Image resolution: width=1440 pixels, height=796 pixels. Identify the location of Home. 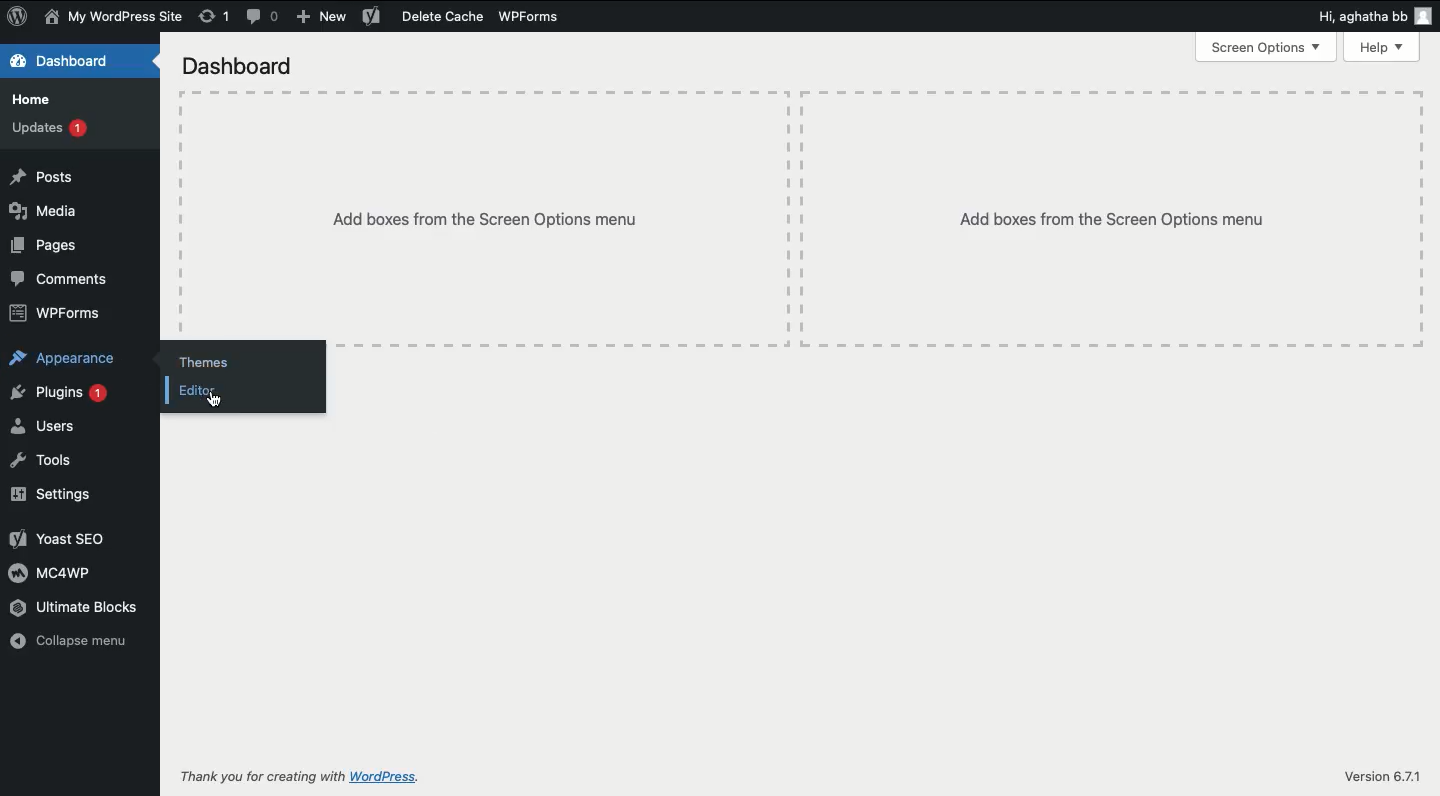
(37, 100).